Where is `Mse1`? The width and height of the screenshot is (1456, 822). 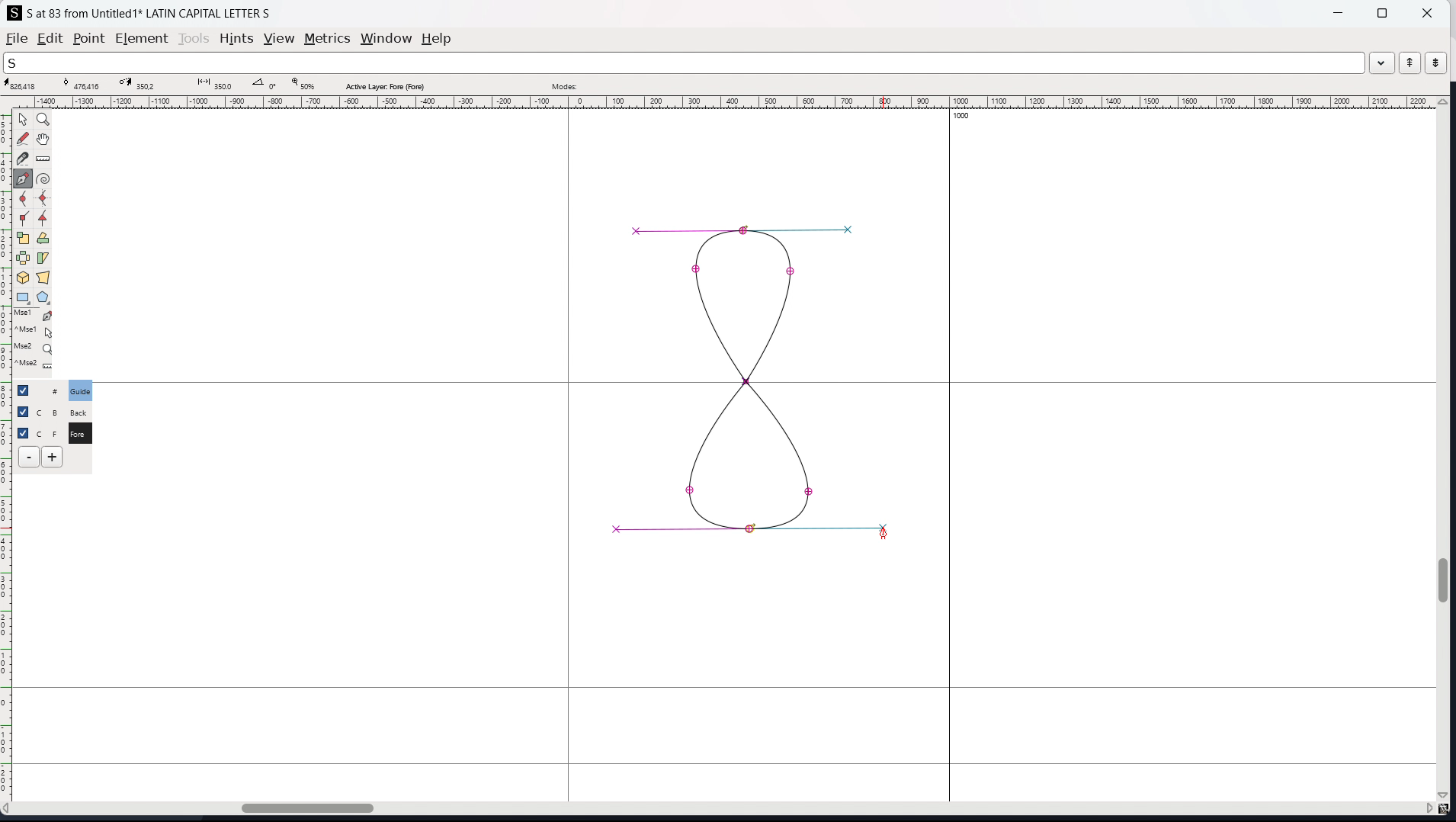
Mse1 is located at coordinates (34, 316).